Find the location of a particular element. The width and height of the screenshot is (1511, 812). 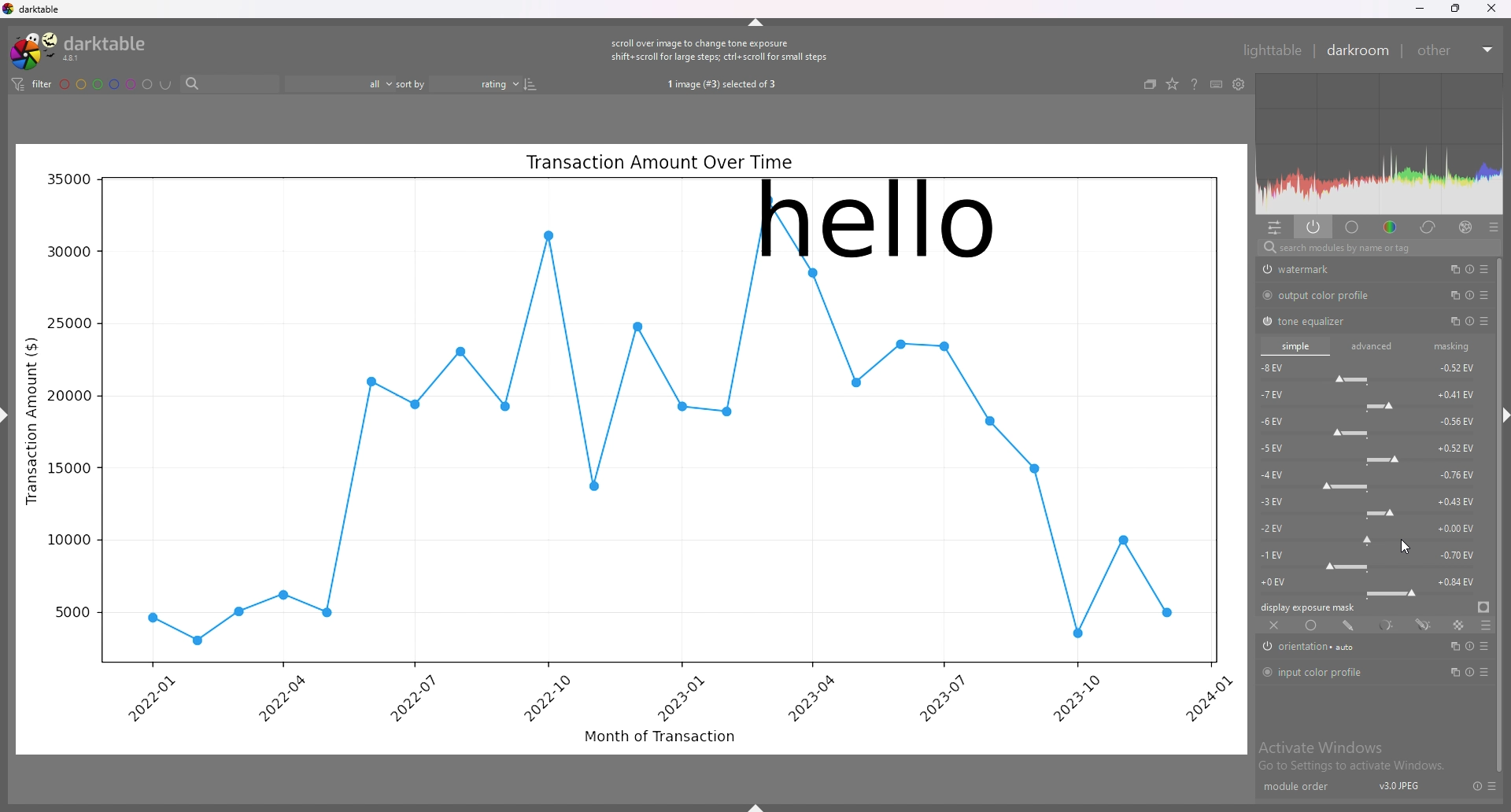

reverse sort order is located at coordinates (531, 84).